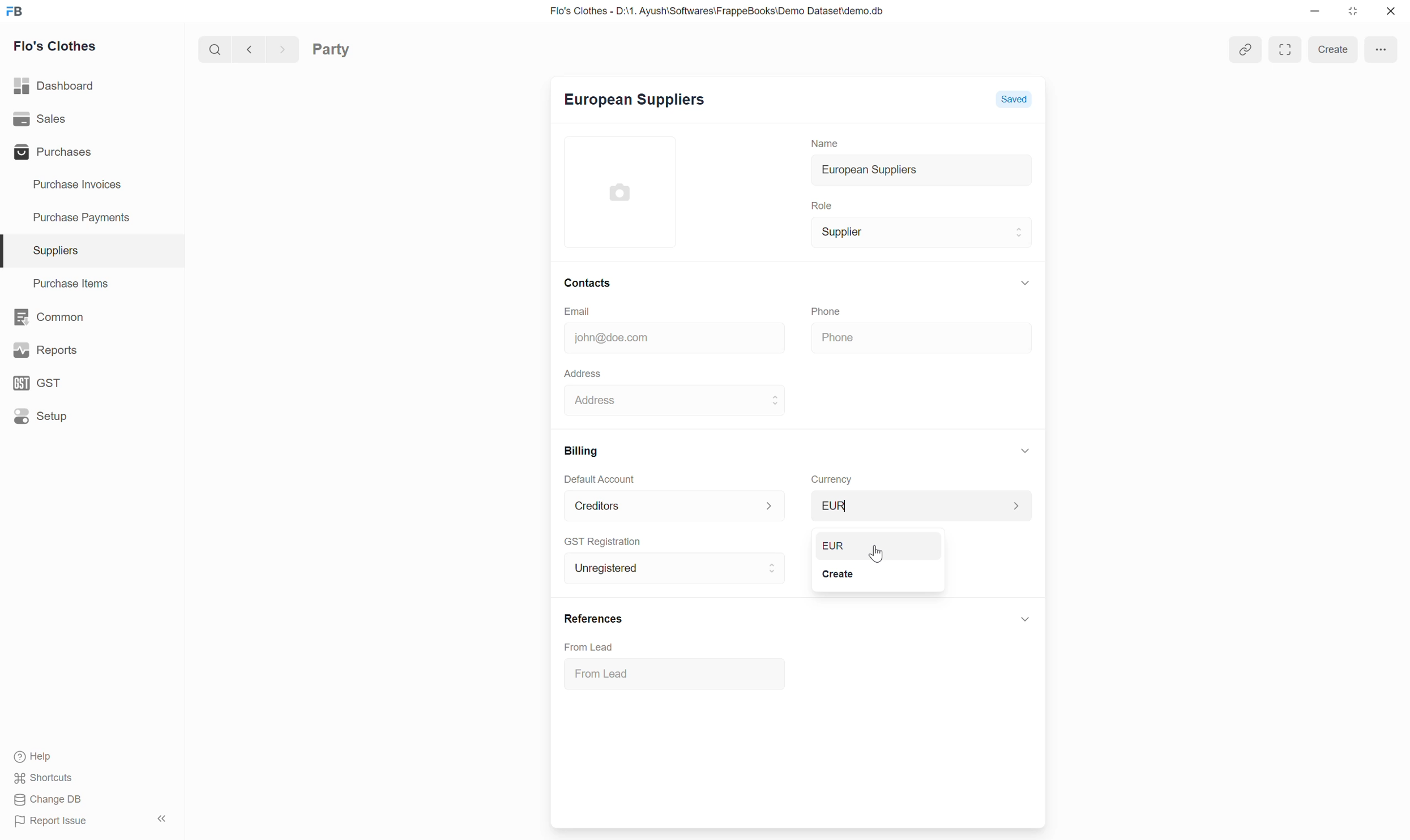 The width and height of the screenshot is (1410, 840). What do you see at coordinates (32, 758) in the screenshot?
I see `help` at bounding box center [32, 758].